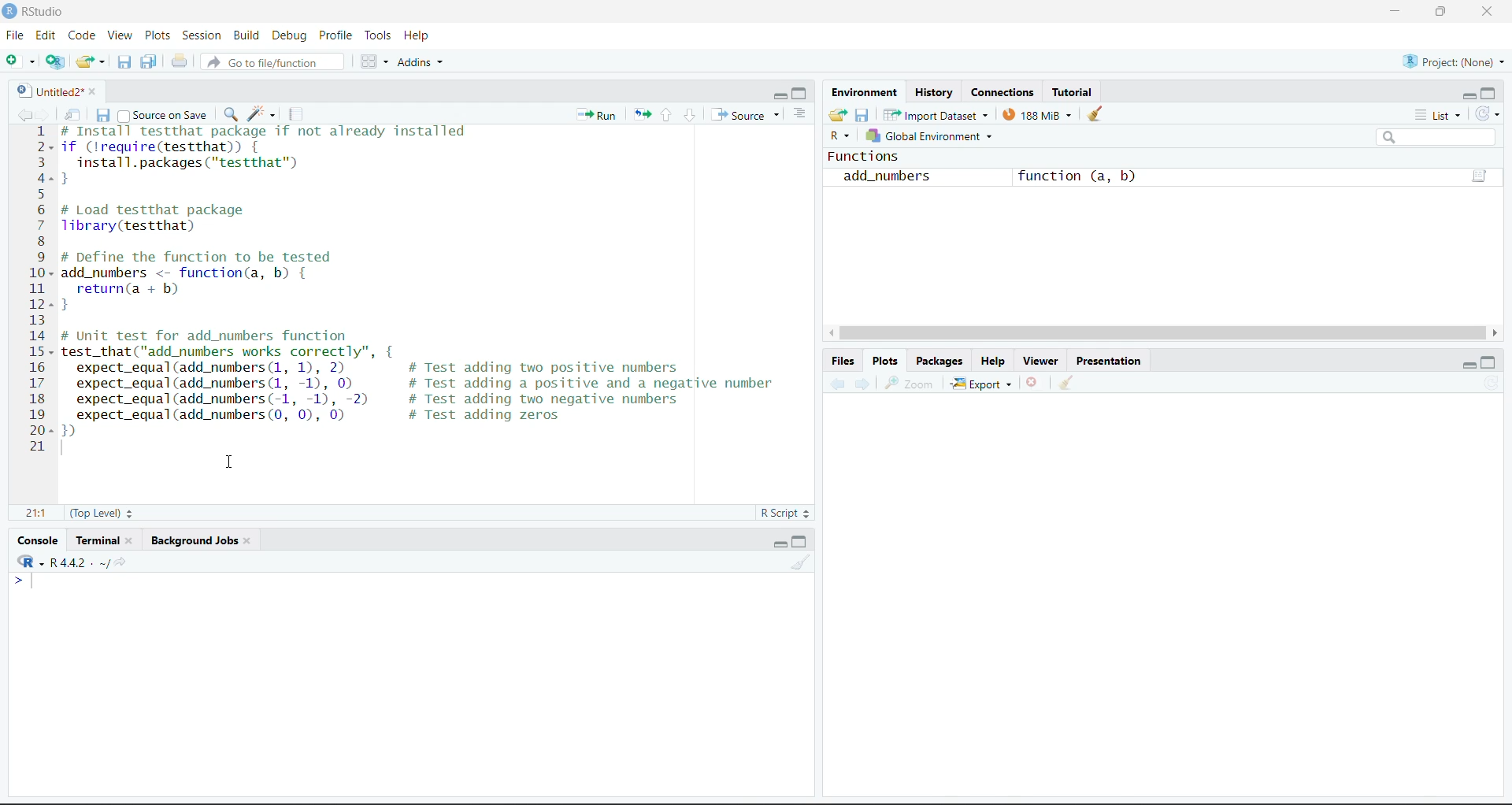  I want to click on 188 Mib, so click(1038, 115).